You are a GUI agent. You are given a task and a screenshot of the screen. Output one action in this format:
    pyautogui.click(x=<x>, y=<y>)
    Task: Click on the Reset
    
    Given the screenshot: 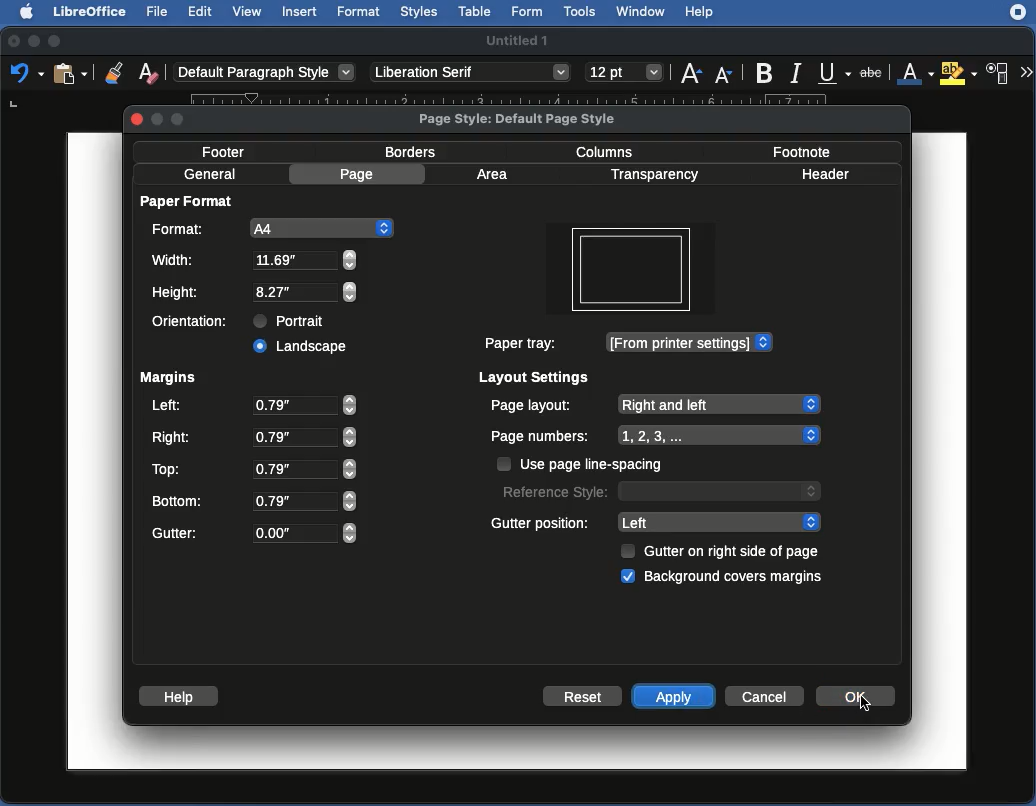 What is the action you would take?
    pyautogui.click(x=585, y=696)
    